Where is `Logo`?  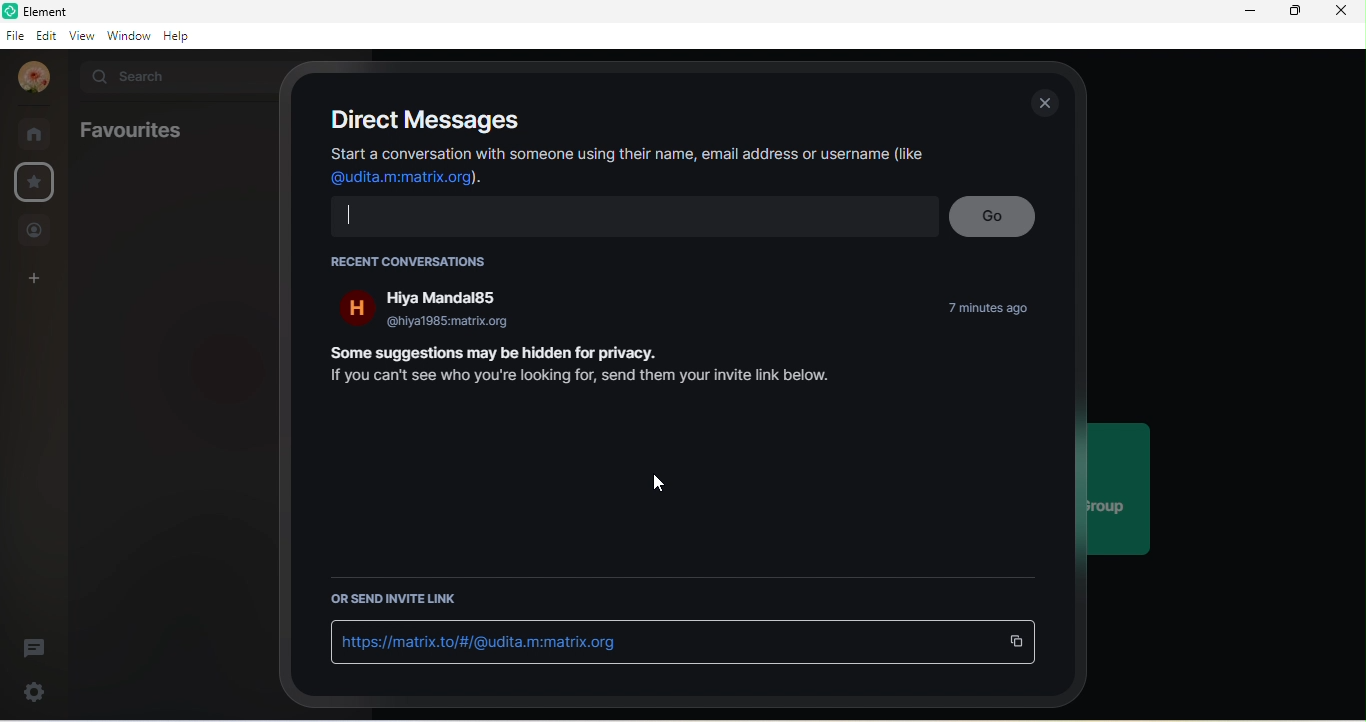
Logo is located at coordinates (11, 10).